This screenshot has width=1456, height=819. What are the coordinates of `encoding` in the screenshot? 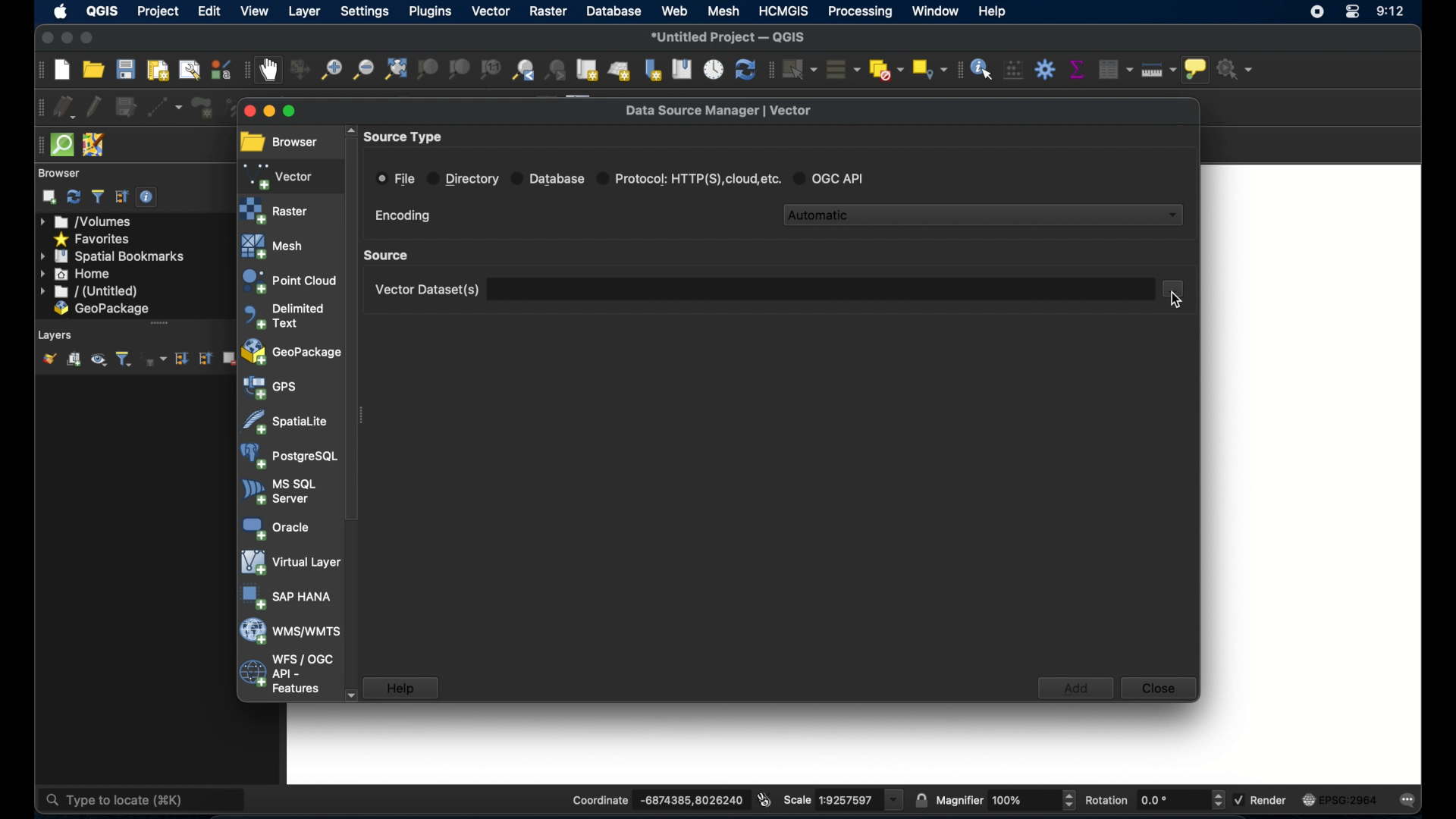 It's located at (403, 216).